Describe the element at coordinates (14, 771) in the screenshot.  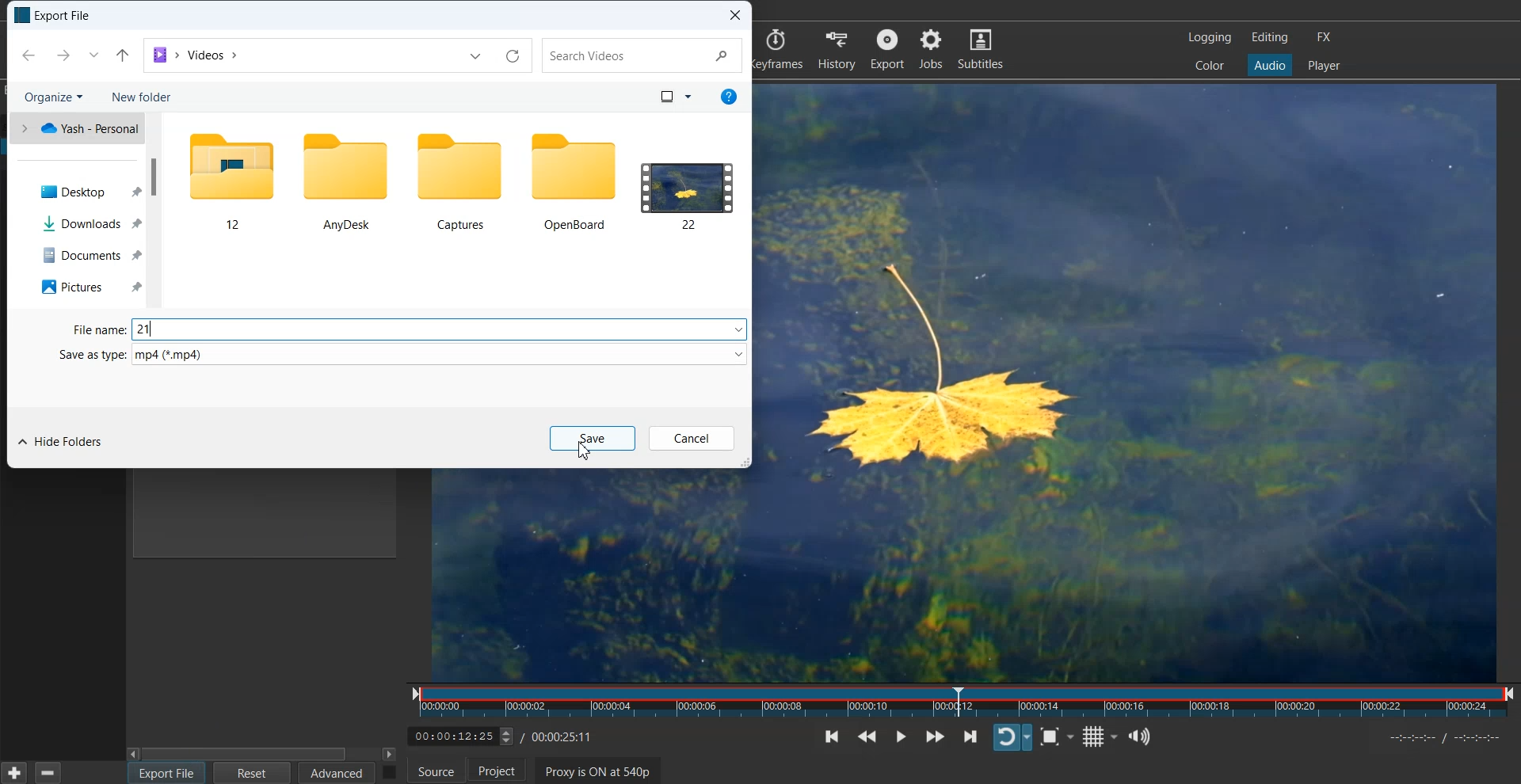
I see `Add Current settings` at that location.